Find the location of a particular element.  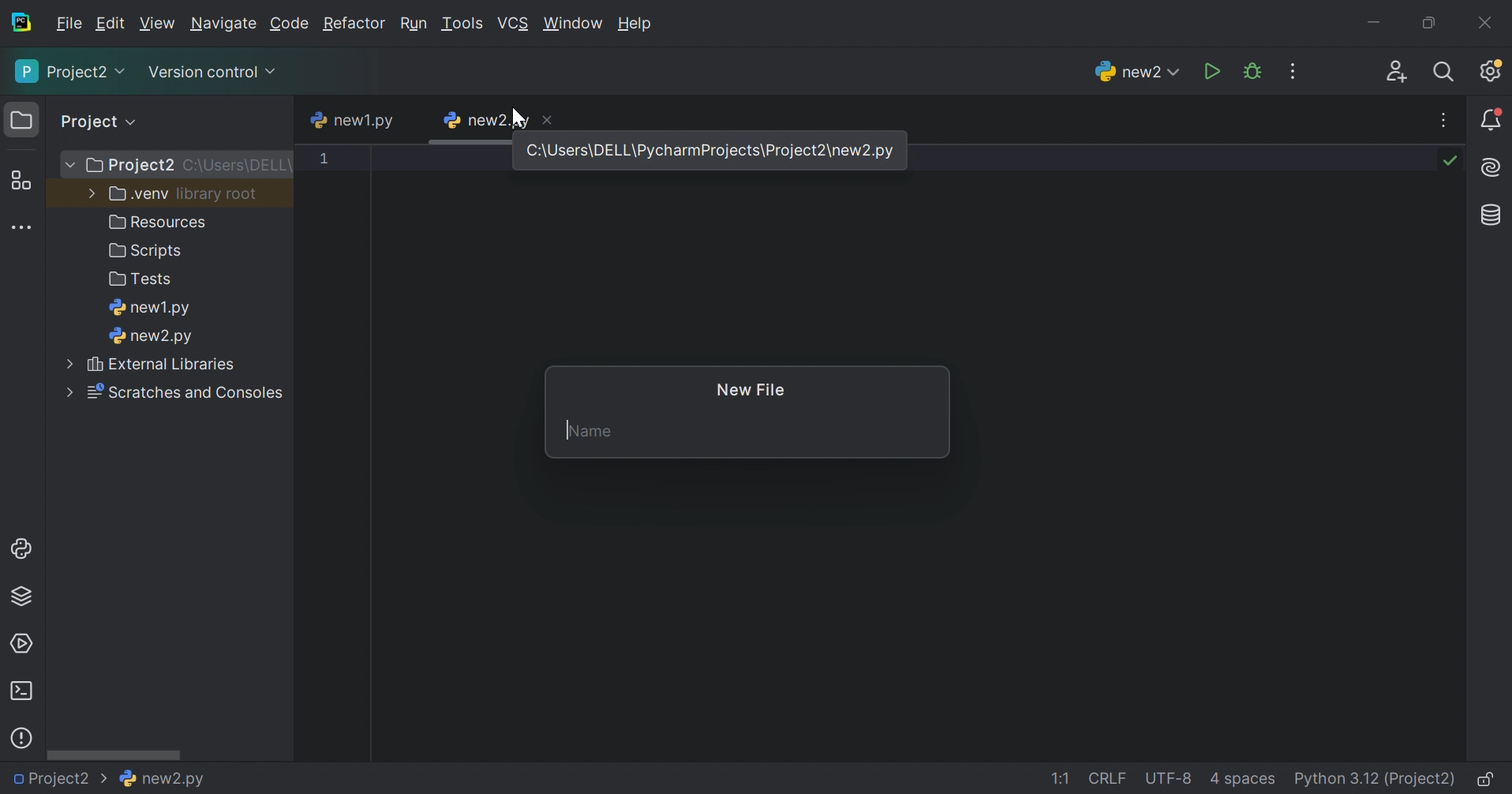

Project2 is located at coordinates (61, 780).